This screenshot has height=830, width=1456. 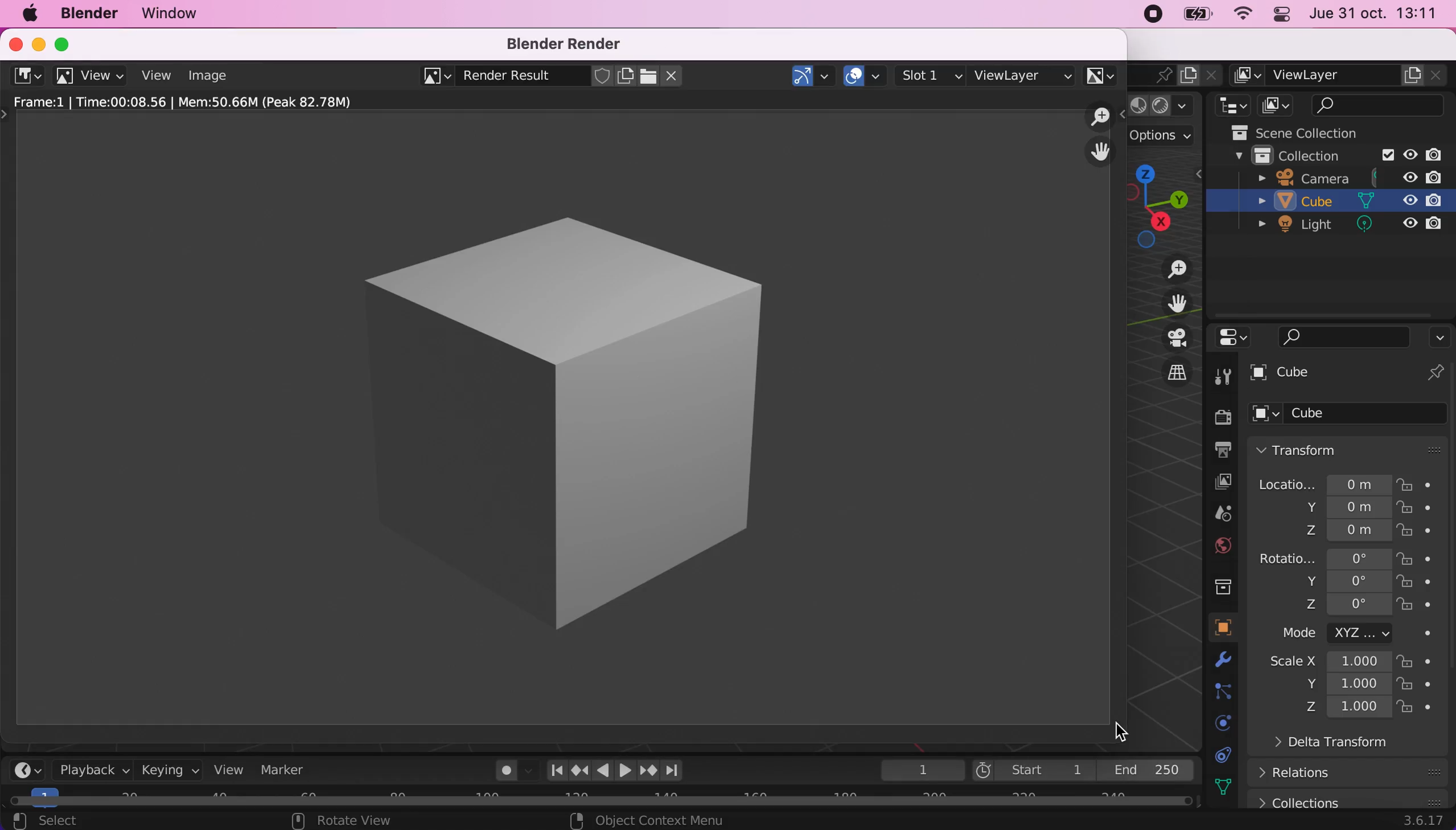 What do you see at coordinates (1164, 106) in the screenshot?
I see `viewport shading` at bounding box center [1164, 106].